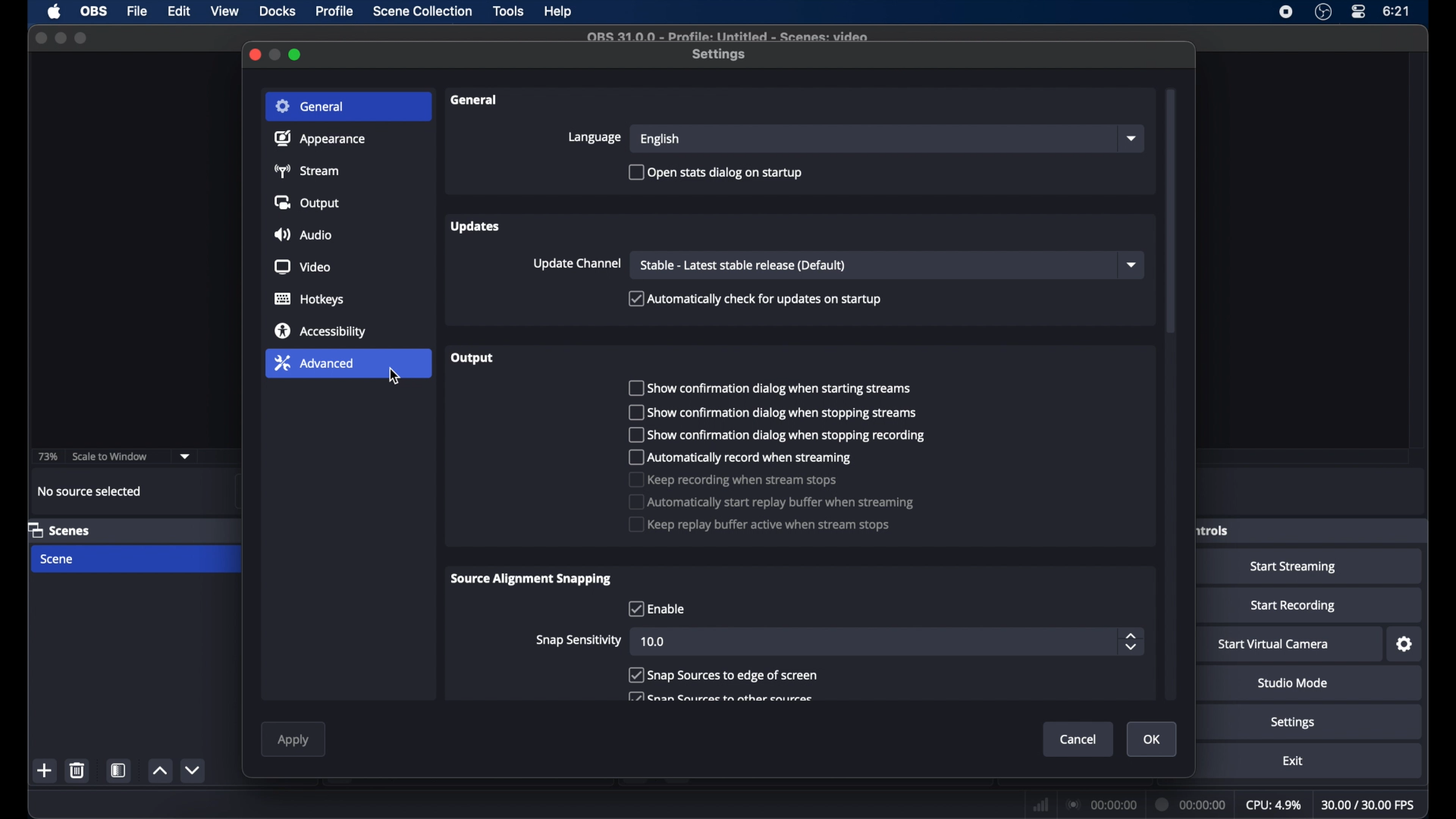 The width and height of the screenshot is (1456, 819). I want to click on apple icon, so click(54, 12).